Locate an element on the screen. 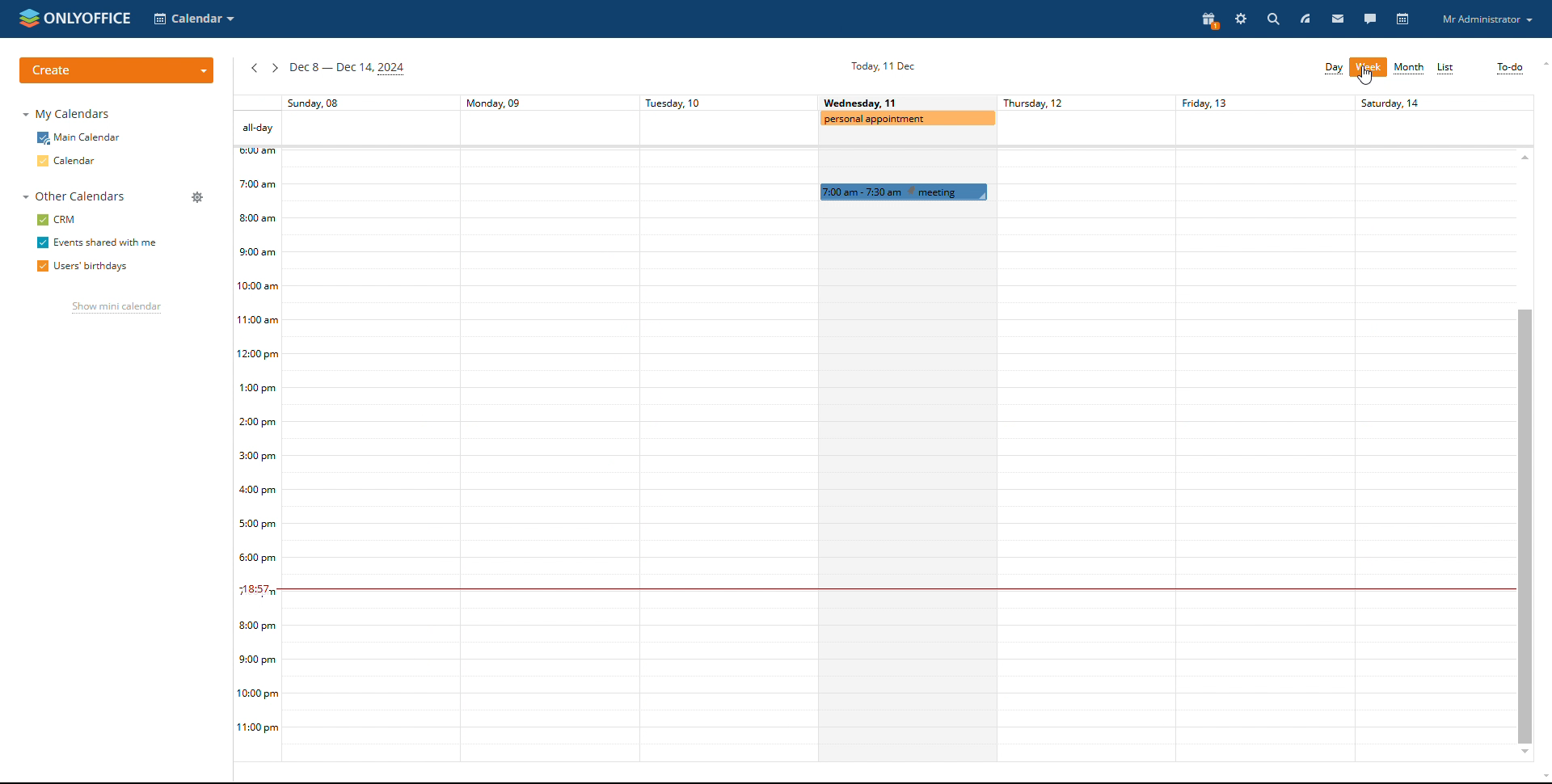 The width and height of the screenshot is (1552, 784). scrollbar is located at coordinates (1523, 525).